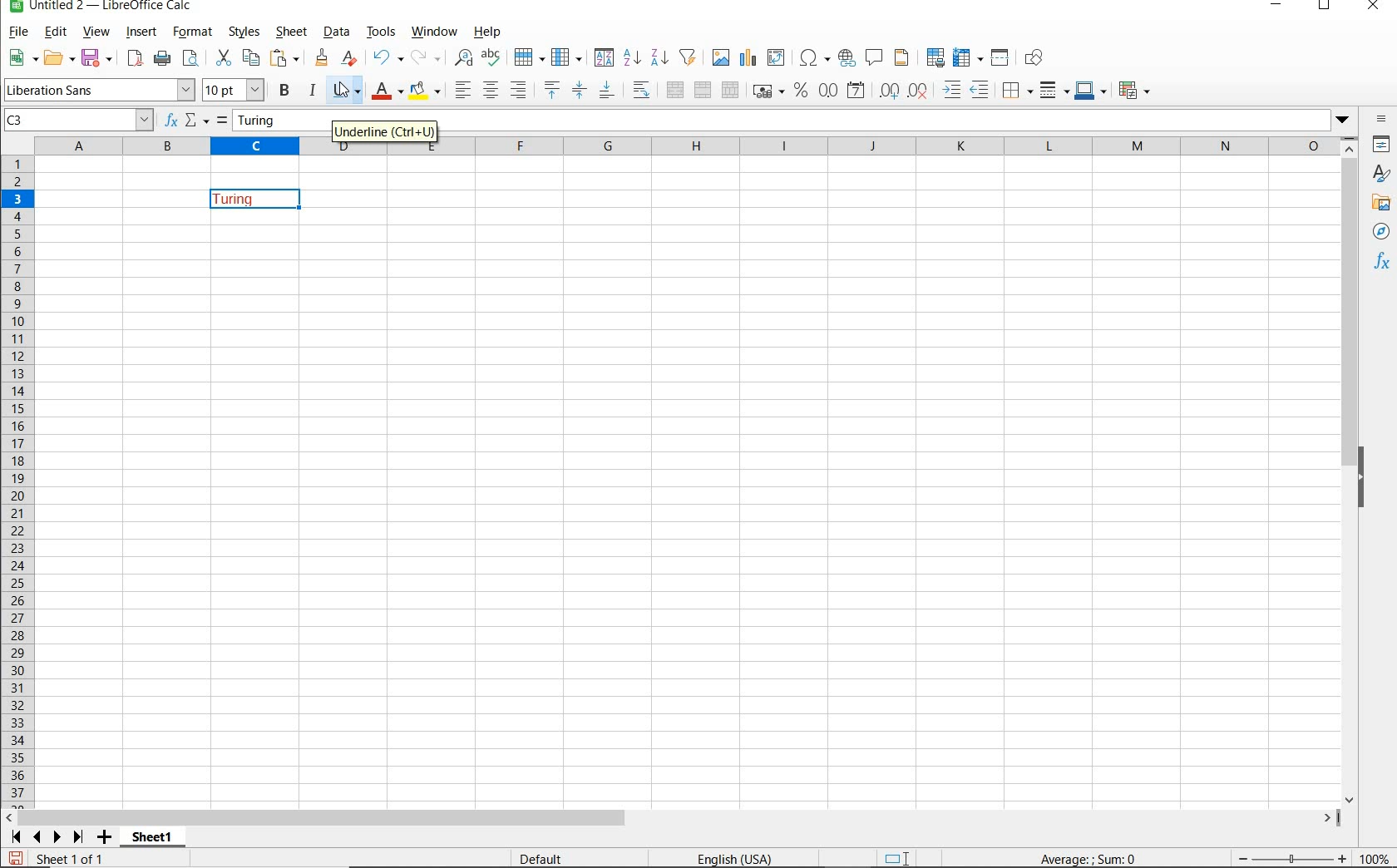  Describe the element at coordinates (1376, 7) in the screenshot. I see `CLOSE` at that location.